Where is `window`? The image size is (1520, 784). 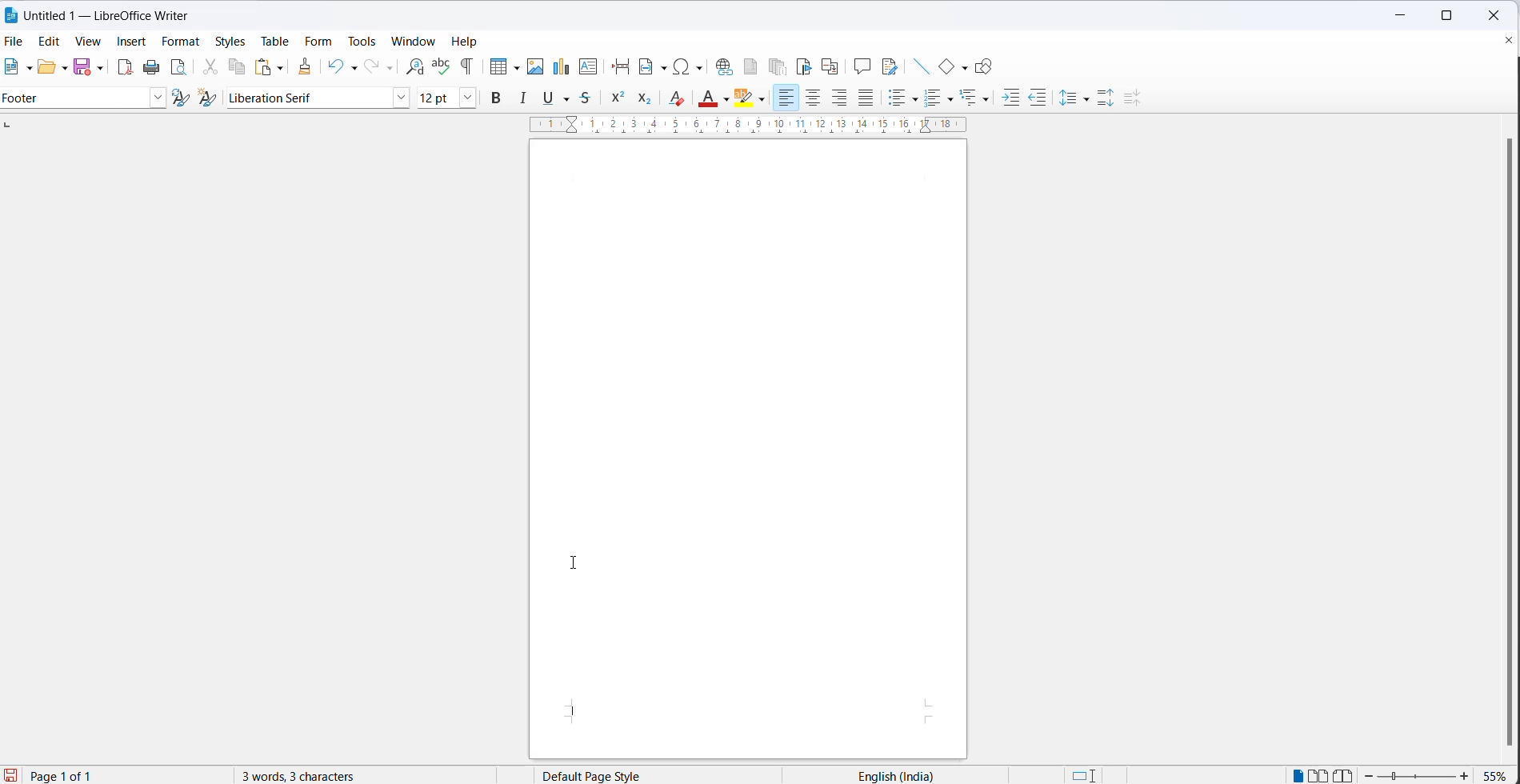 window is located at coordinates (414, 42).